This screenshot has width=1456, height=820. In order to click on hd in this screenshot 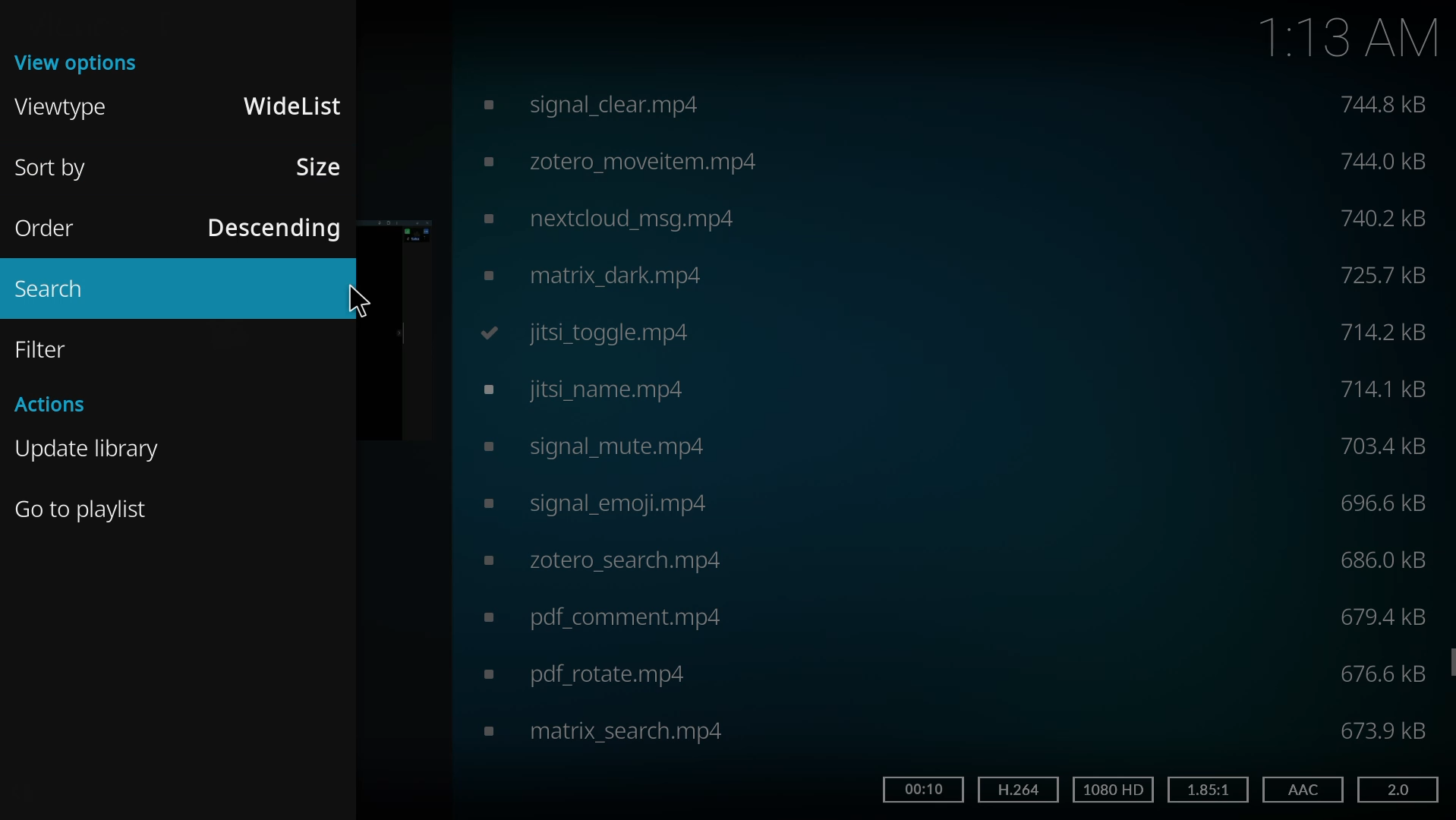, I will do `click(1111, 790)`.